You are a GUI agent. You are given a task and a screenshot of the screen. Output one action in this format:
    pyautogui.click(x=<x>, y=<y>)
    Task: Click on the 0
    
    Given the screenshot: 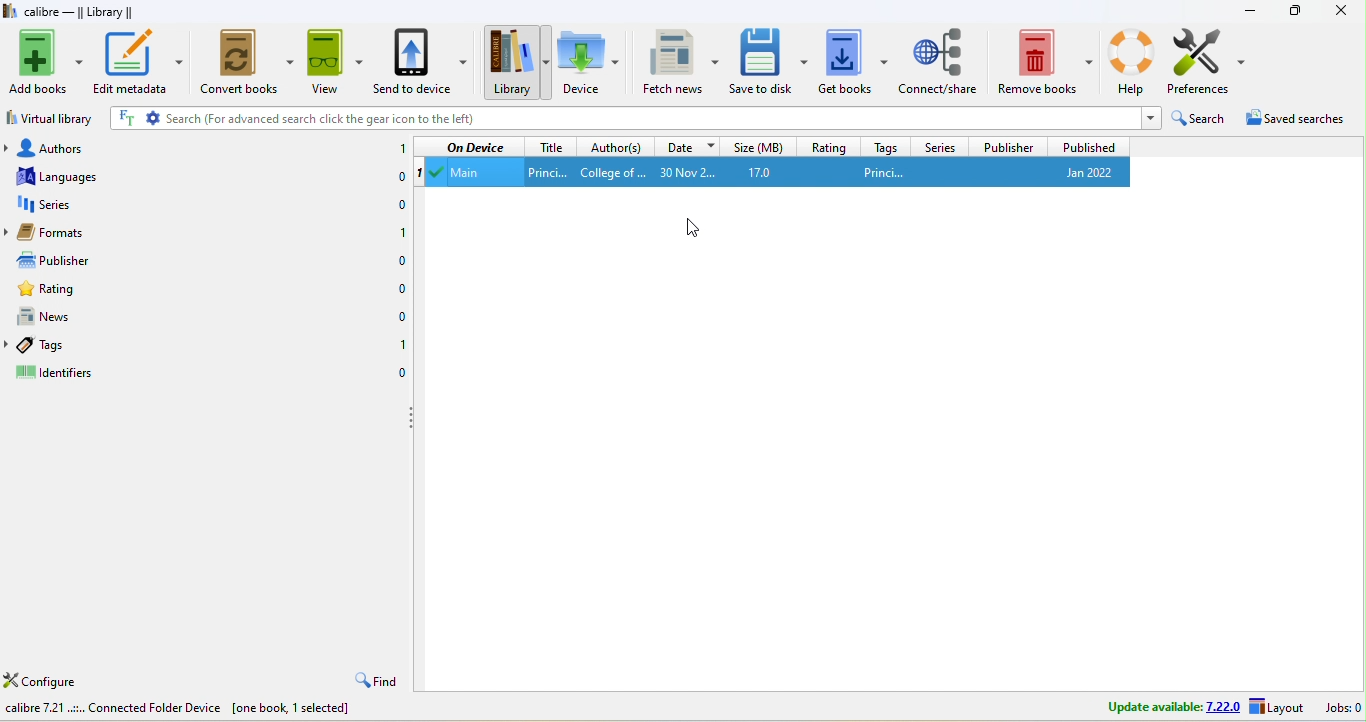 What is the action you would take?
    pyautogui.click(x=400, y=262)
    